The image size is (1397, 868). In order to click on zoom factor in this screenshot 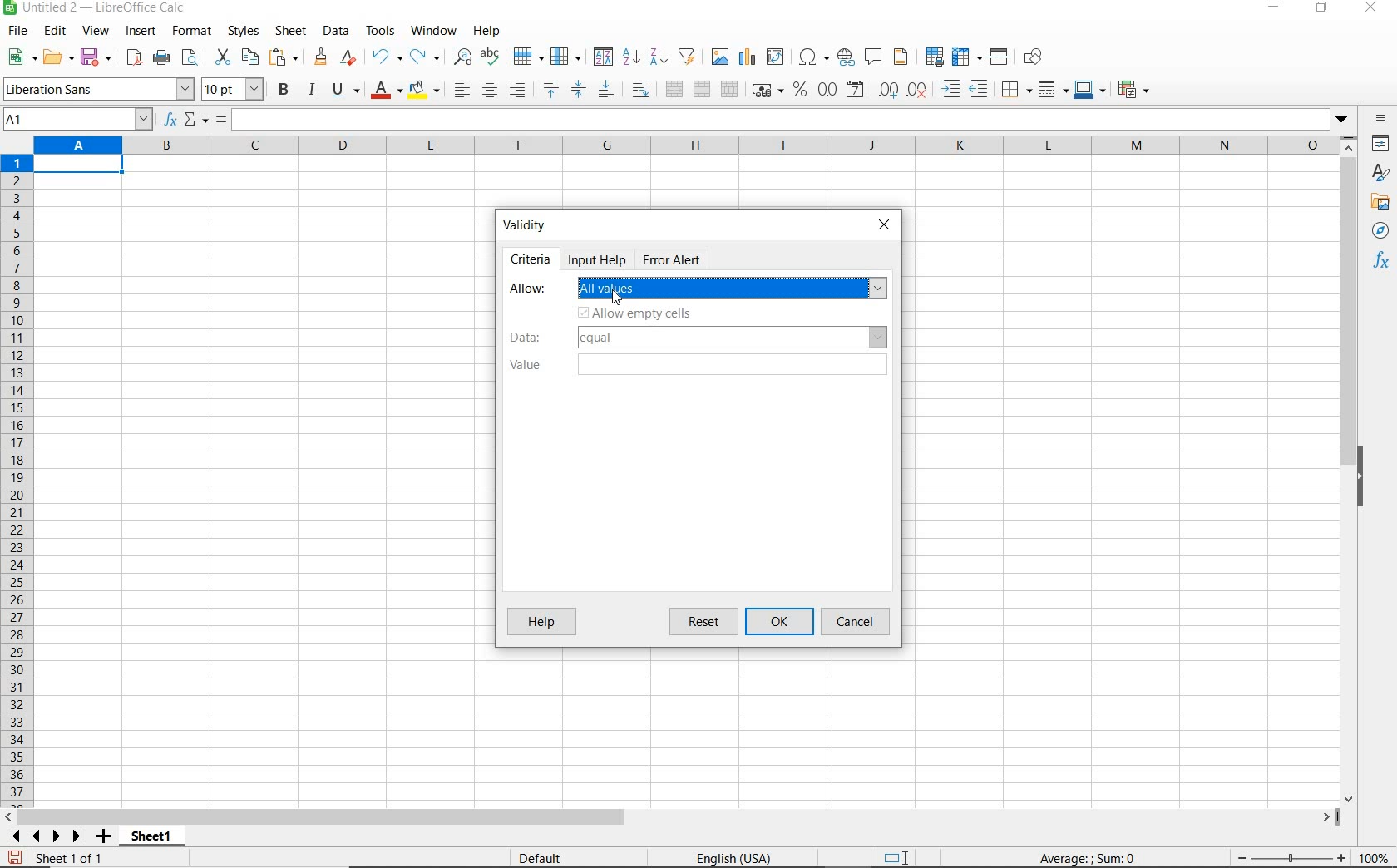, I will do `click(1375, 857)`.